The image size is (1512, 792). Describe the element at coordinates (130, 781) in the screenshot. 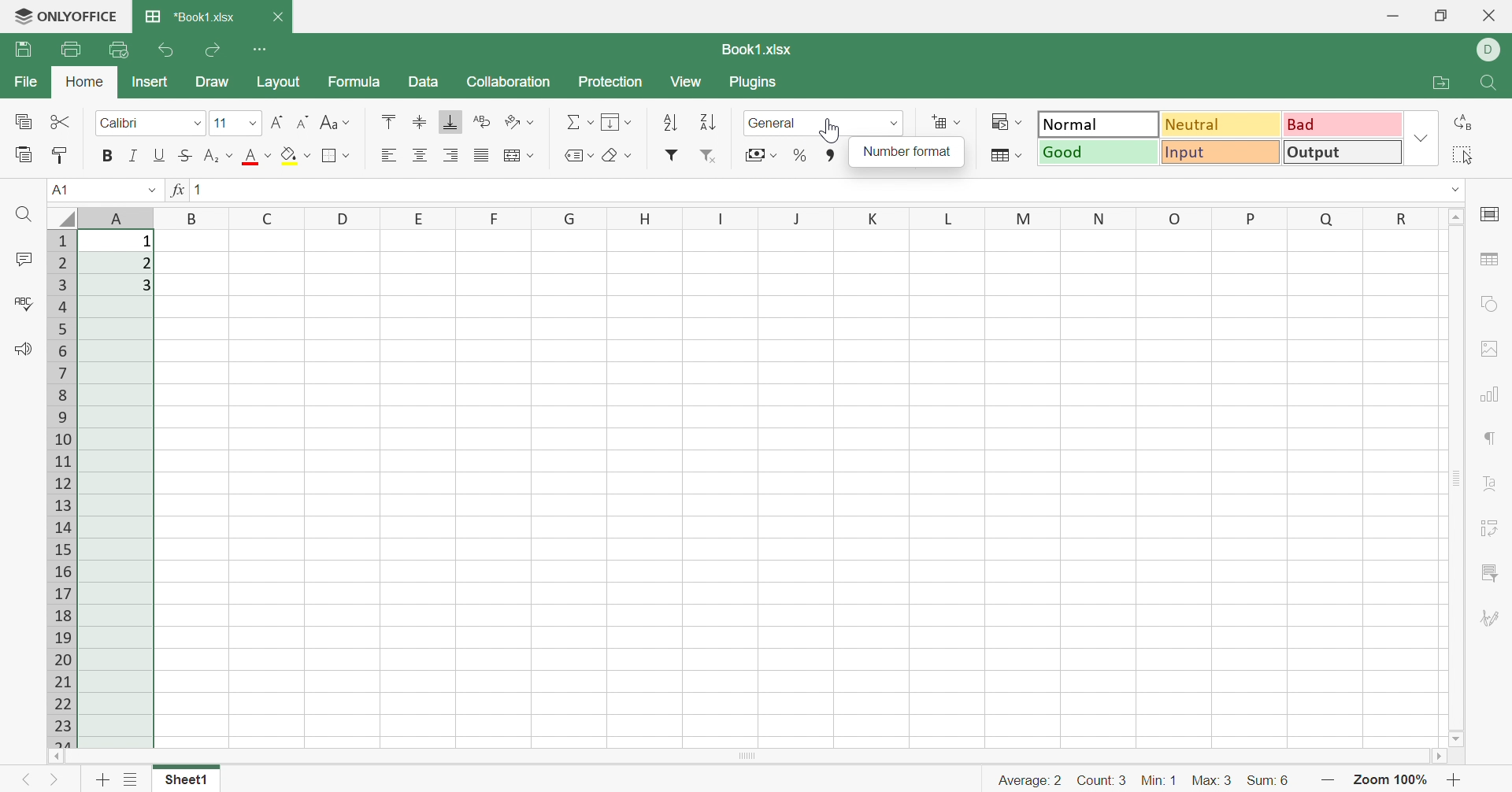

I see `List of sheets` at that location.